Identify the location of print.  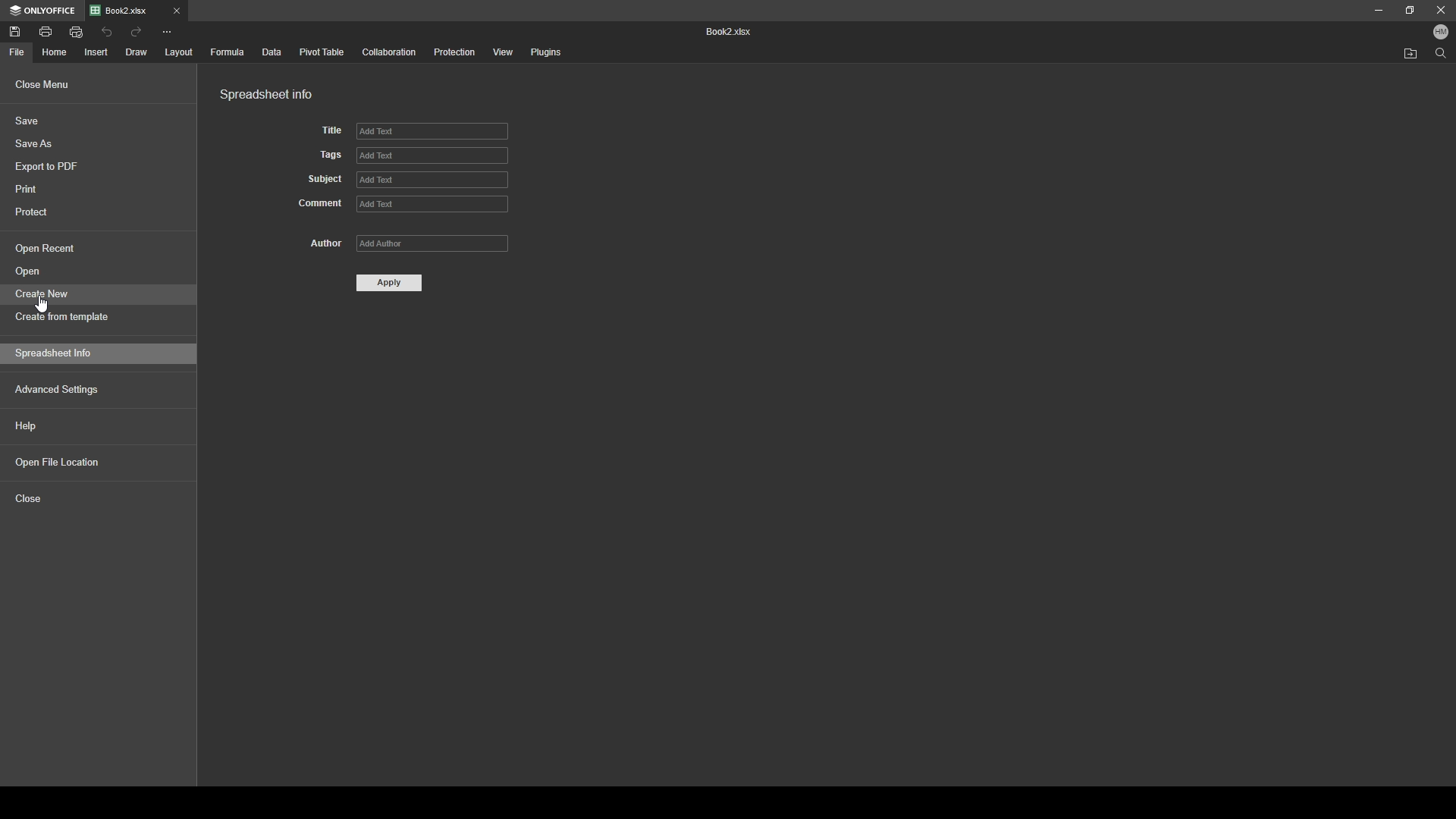
(97, 190).